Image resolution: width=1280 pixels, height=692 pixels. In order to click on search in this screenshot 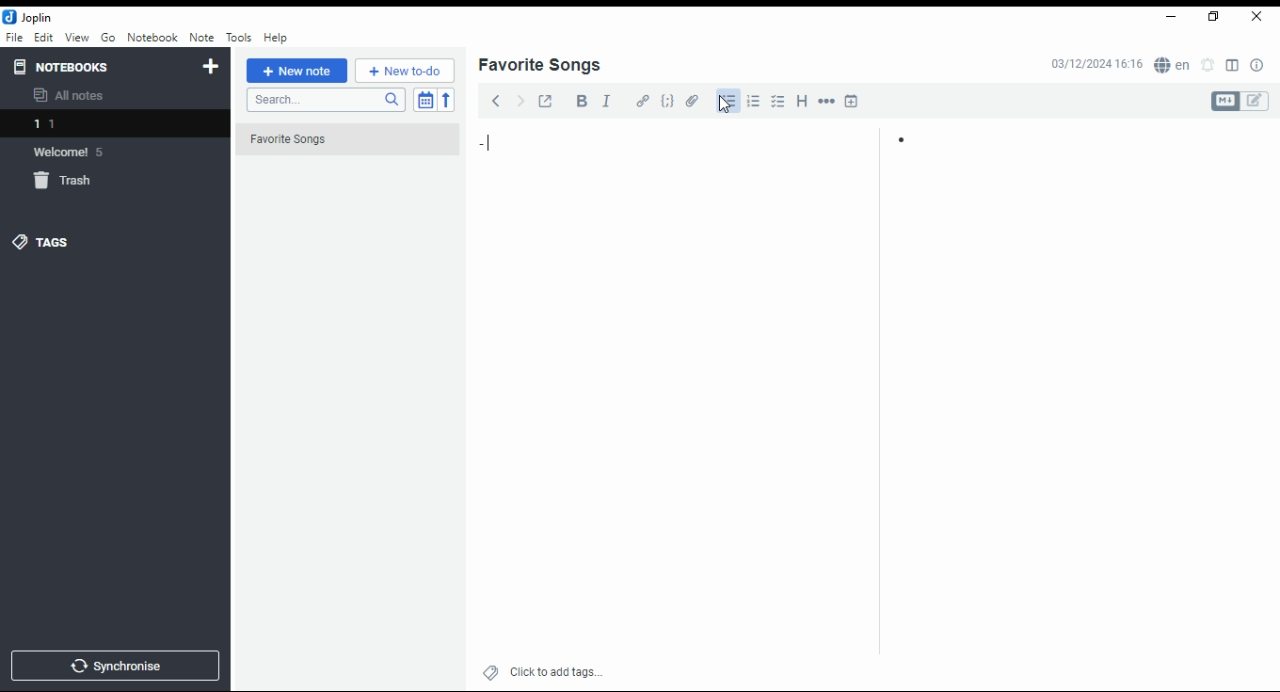, I will do `click(325, 100)`.